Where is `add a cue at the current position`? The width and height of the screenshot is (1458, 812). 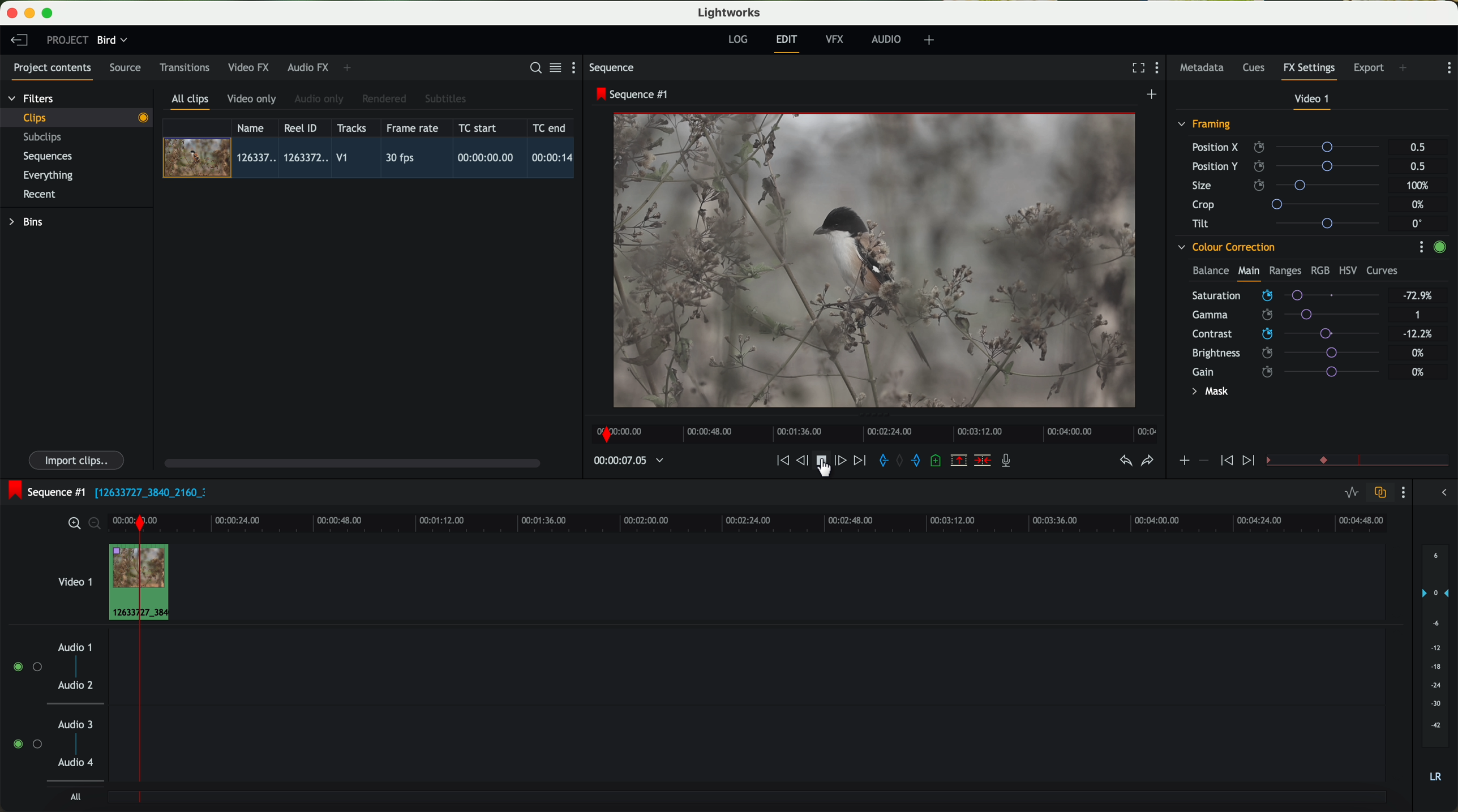
add a cue at the current position is located at coordinates (937, 461).